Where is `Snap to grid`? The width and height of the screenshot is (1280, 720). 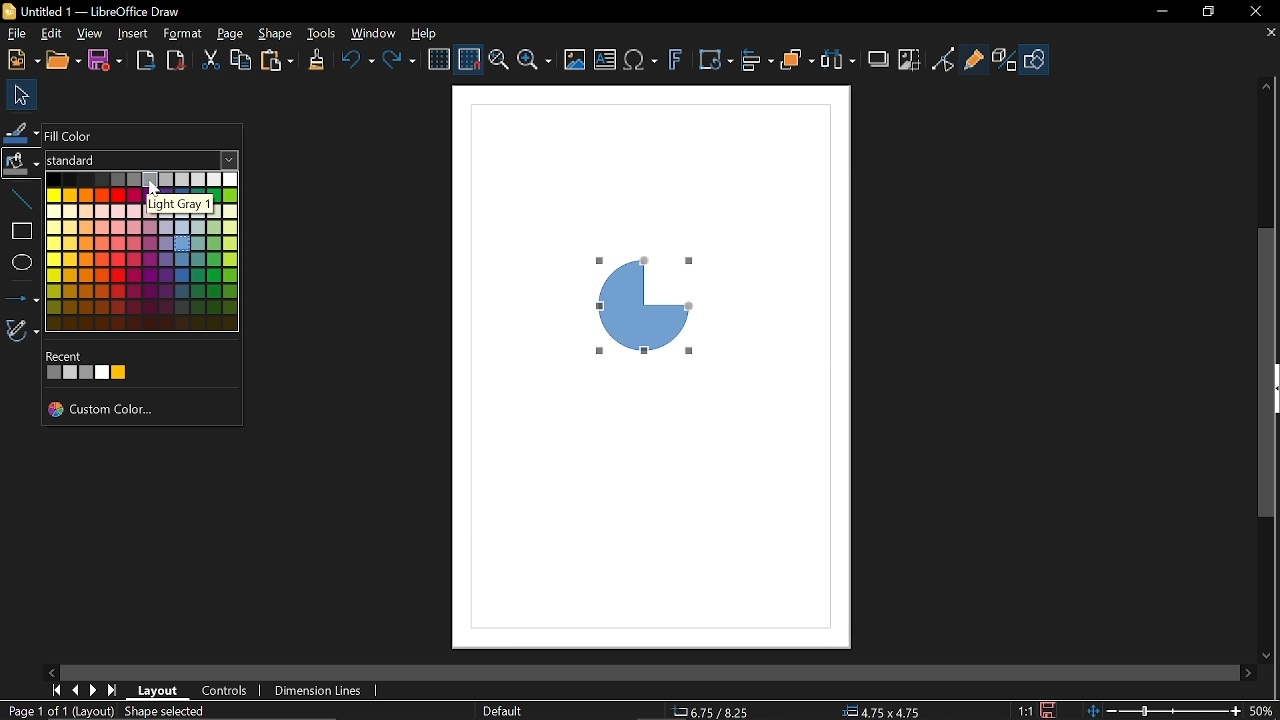 Snap to grid is located at coordinates (470, 61).